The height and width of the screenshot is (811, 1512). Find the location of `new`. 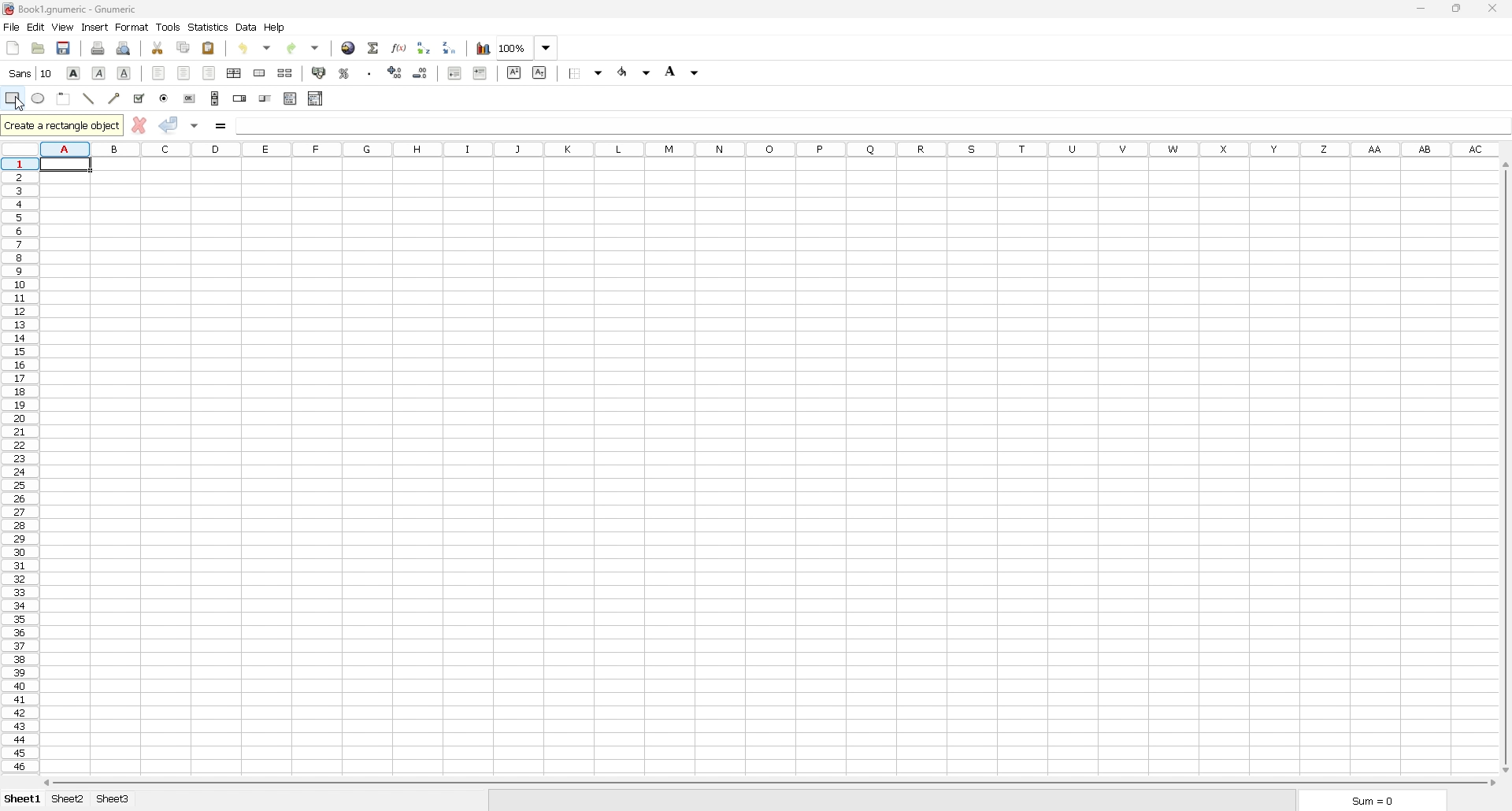

new is located at coordinates (13, 47).